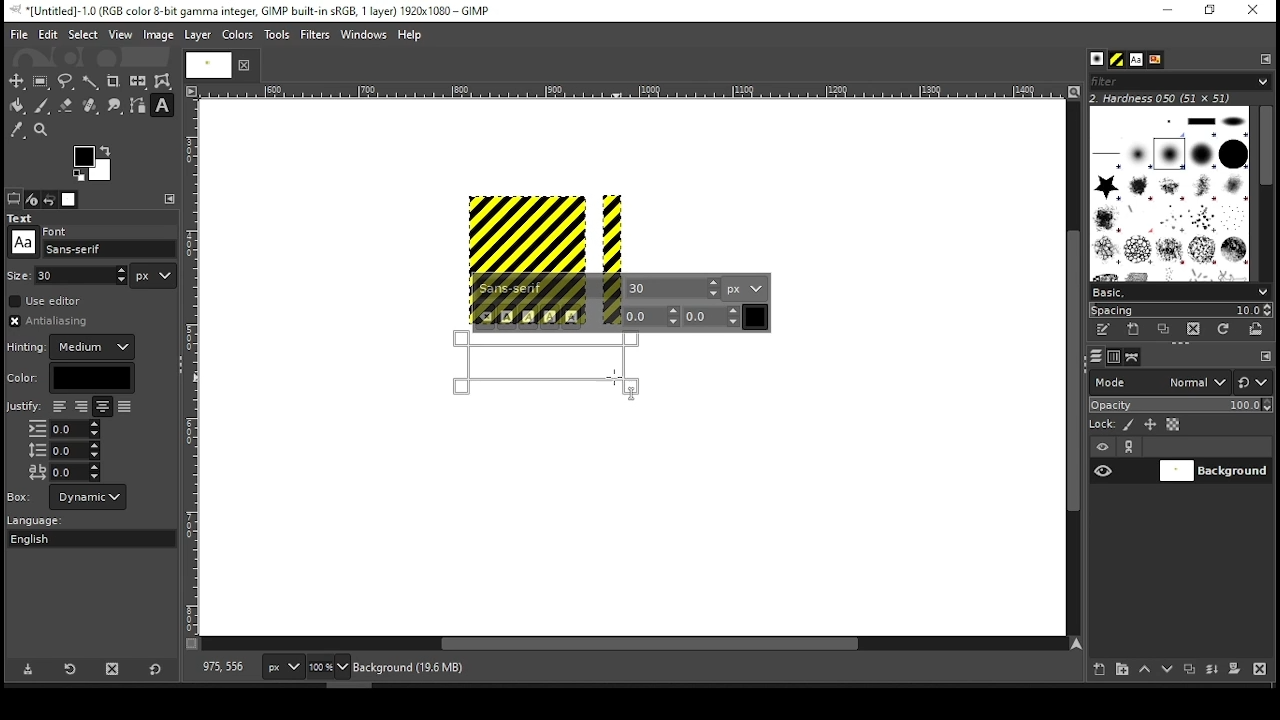  Describe the element at coordinates (64, 429) in the screenshot. I see `indentation of first line` at that location.